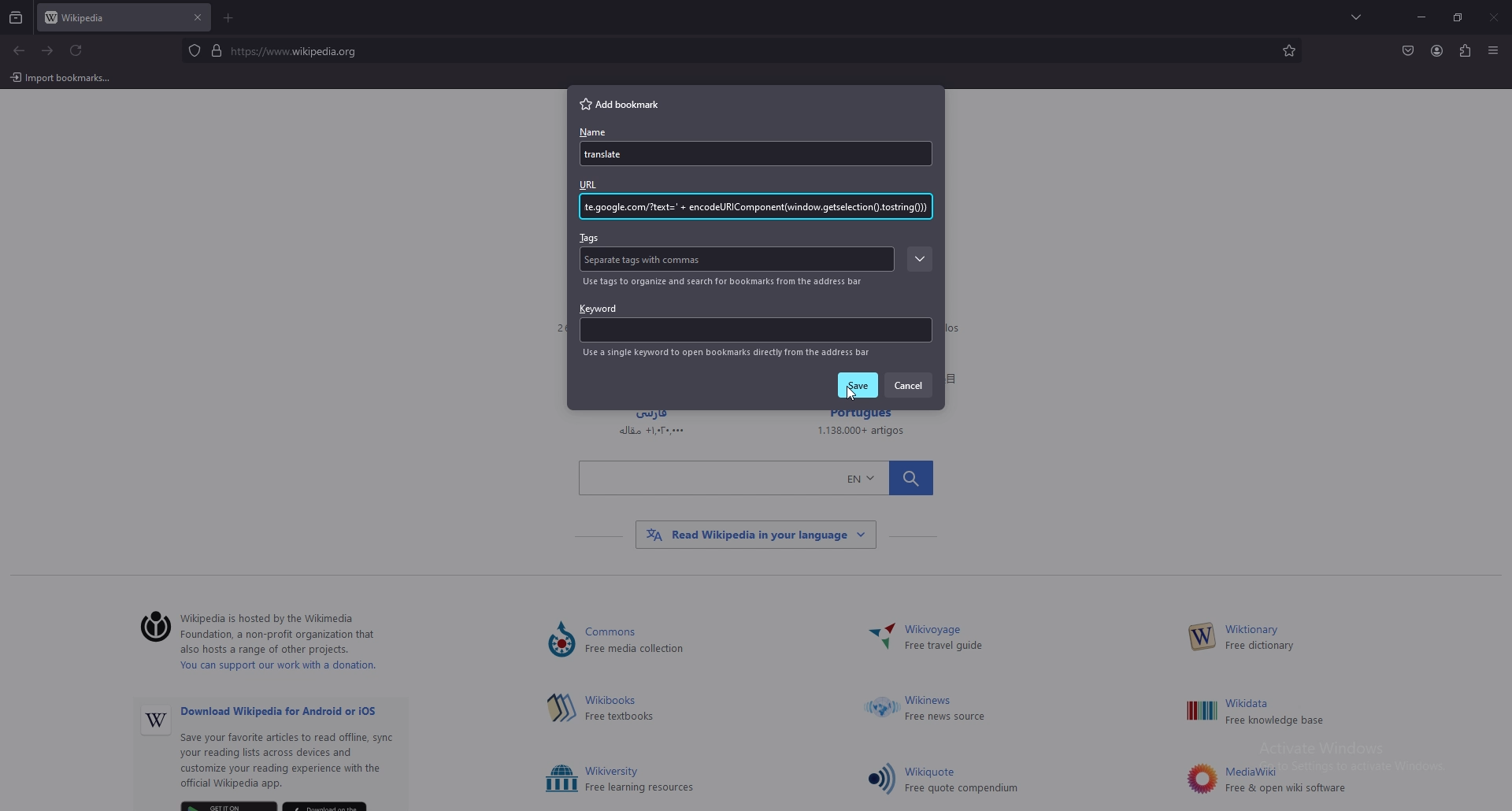 The height and width of the screenshot is (811, 1512). What do you see at coordinates (61, 80) in the screenshot?
I see `` at bounding box center [61, 80].